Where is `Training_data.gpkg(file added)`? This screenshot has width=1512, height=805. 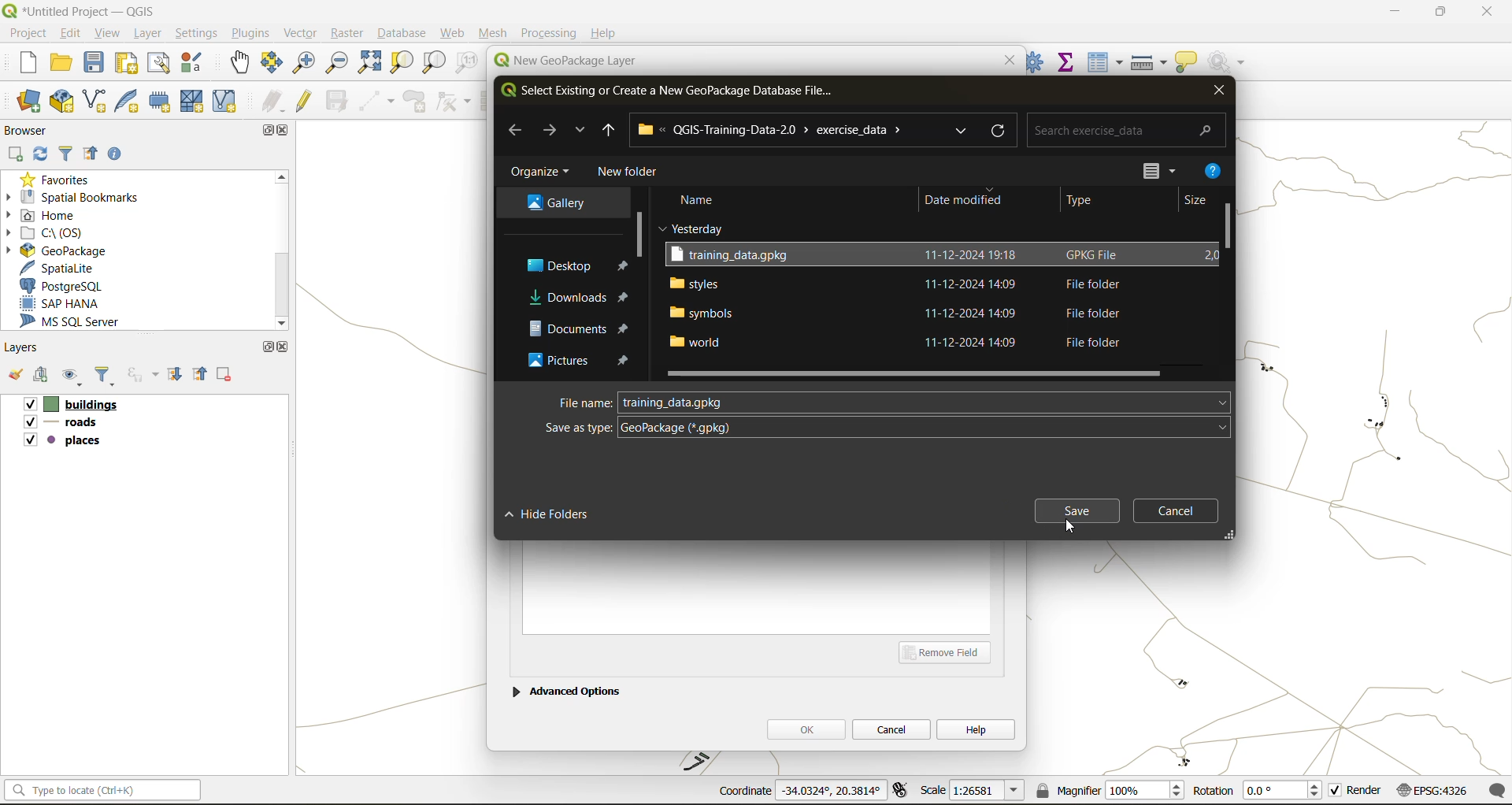
Training_data.gpkg(file added) is located at coordinates (675, 402).